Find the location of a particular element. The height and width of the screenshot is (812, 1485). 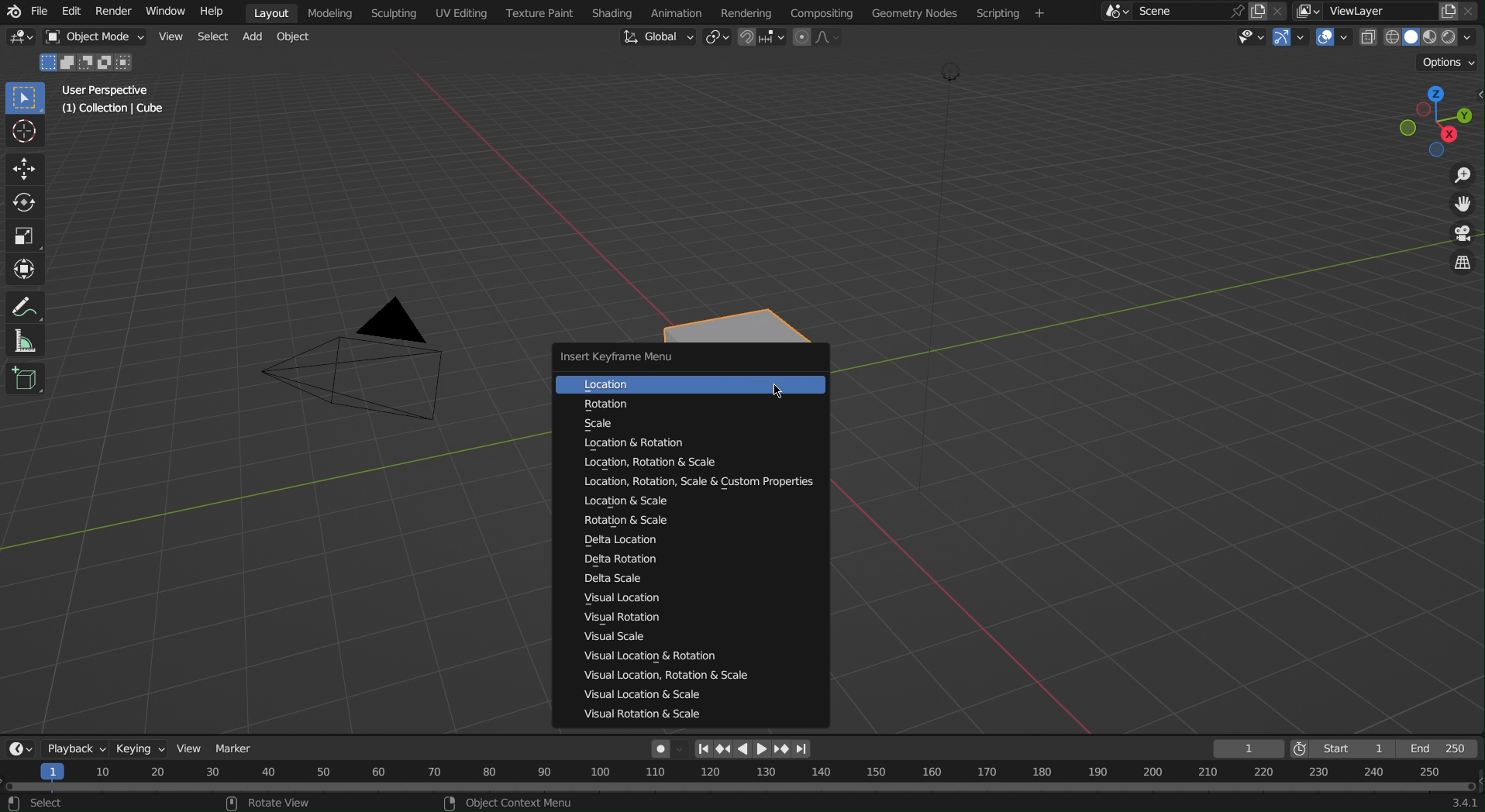

Toggle Camera View is located at coordinates (1460, 235).